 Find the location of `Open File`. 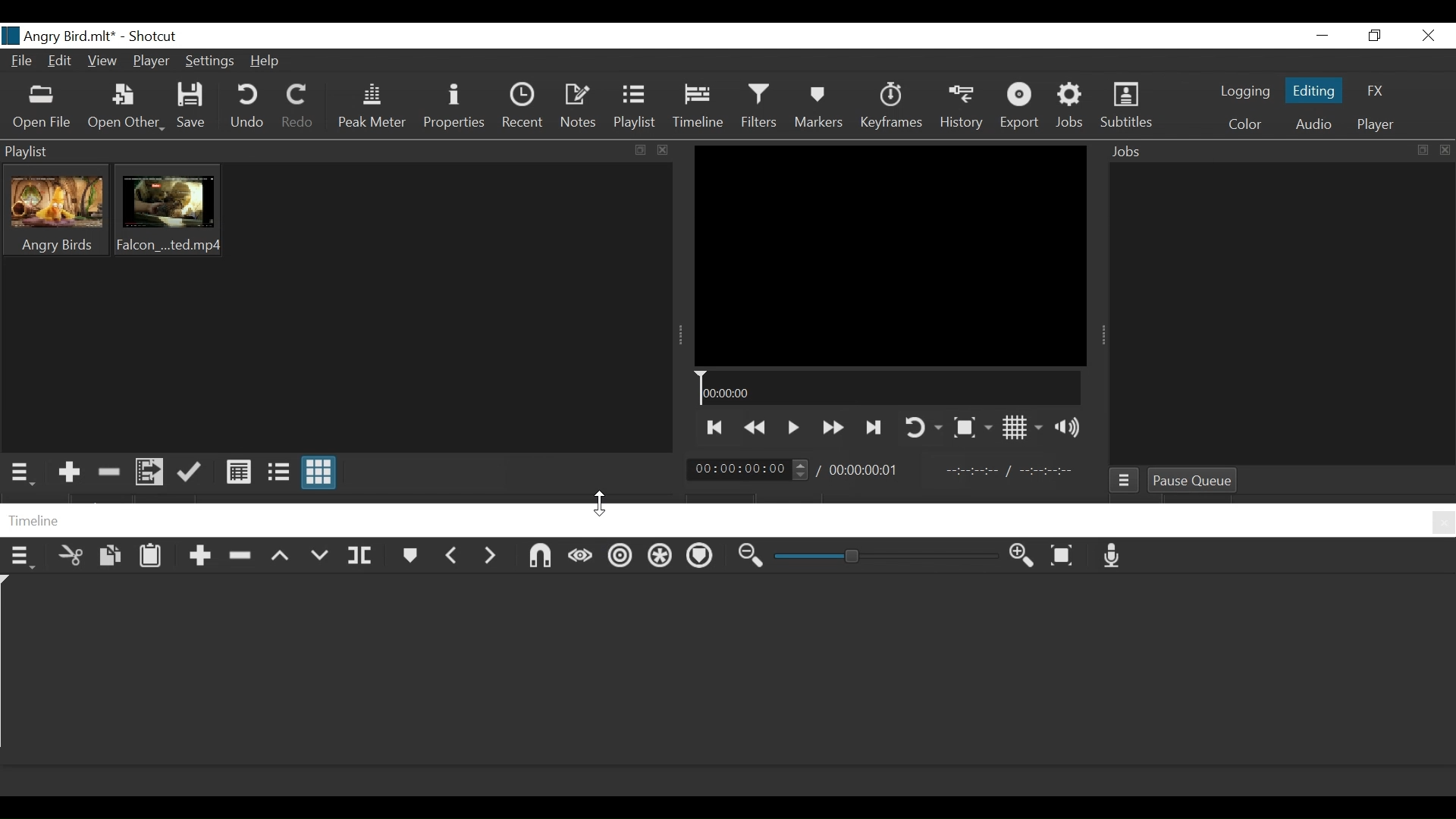

Open File is located at coordinates (42, 109).